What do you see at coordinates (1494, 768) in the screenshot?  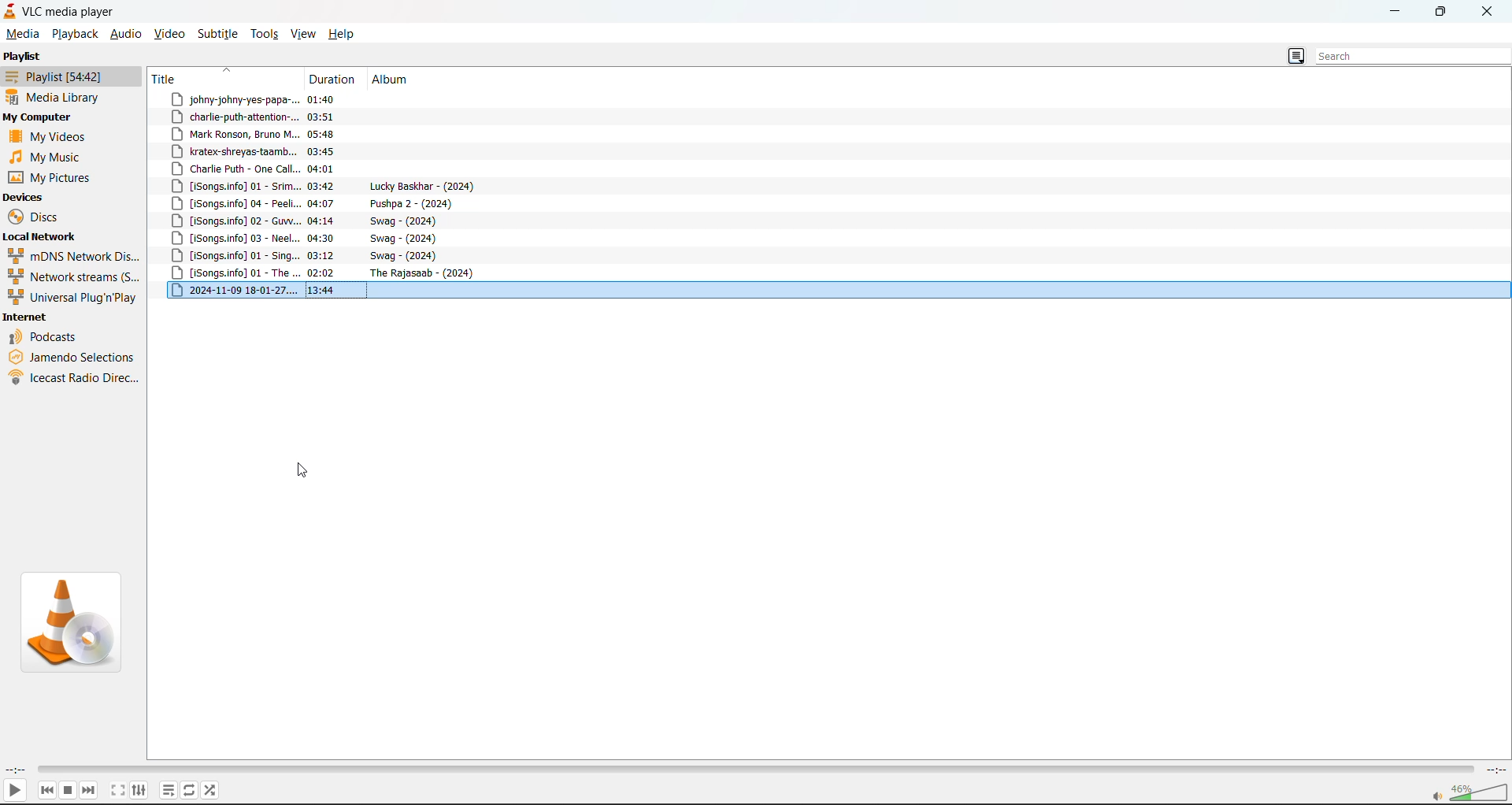 I see `total track time` at bounding box center [1494, 768].